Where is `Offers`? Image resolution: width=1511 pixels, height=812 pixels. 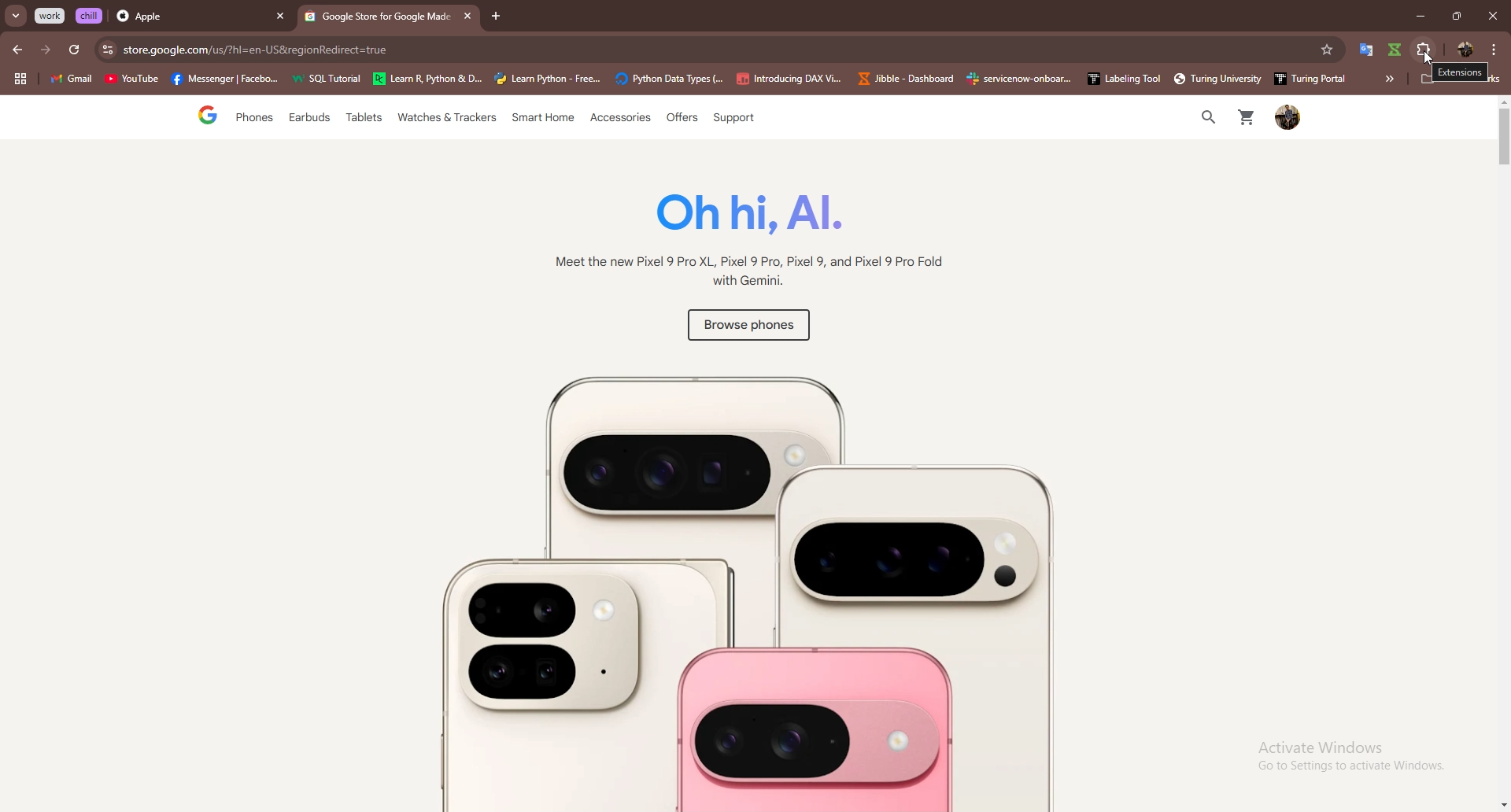 Offers is located at coordinates (681, 118).